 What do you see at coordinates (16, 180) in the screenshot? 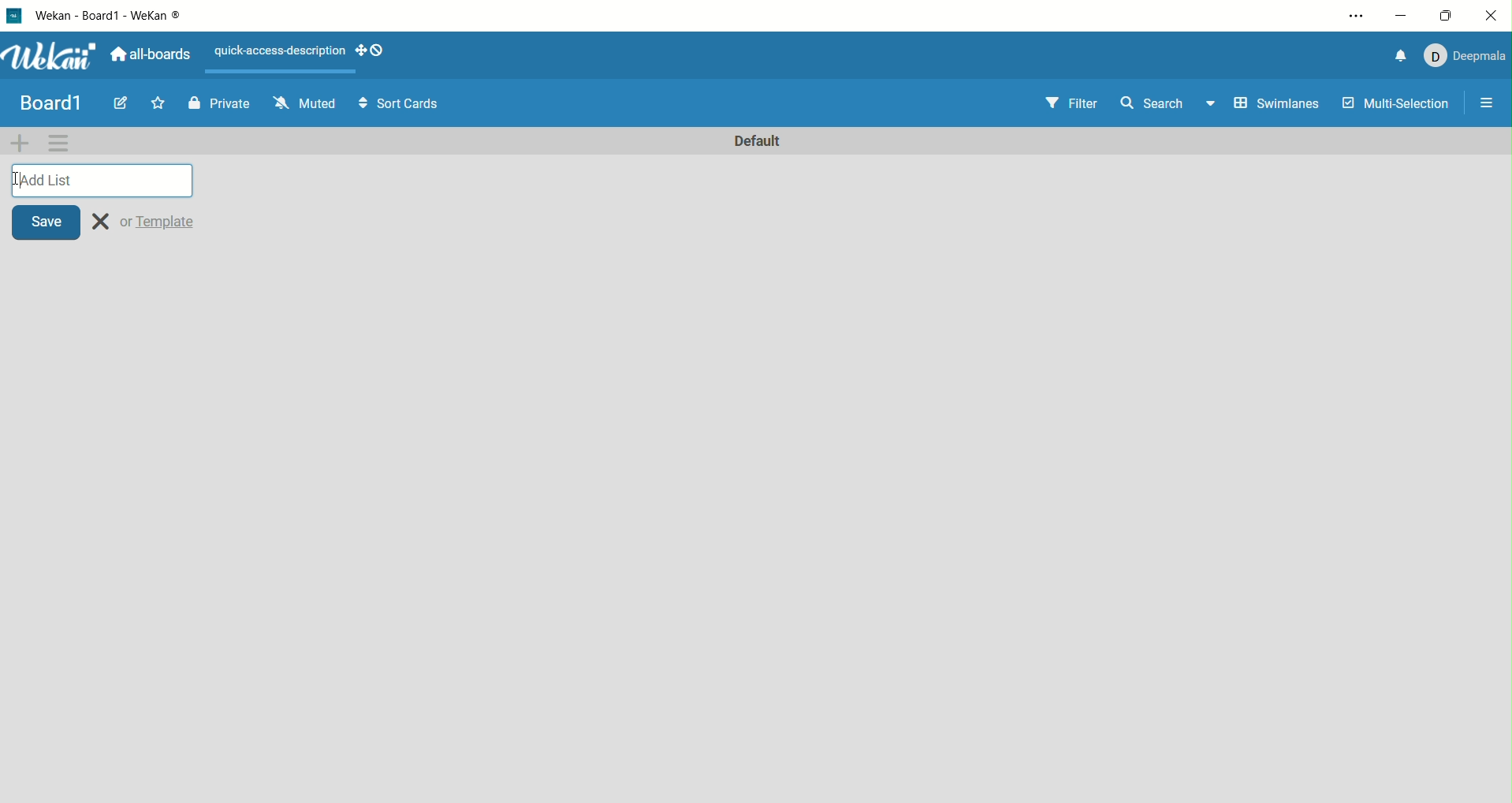
I see `cursor` at bounding box center [16, 180].